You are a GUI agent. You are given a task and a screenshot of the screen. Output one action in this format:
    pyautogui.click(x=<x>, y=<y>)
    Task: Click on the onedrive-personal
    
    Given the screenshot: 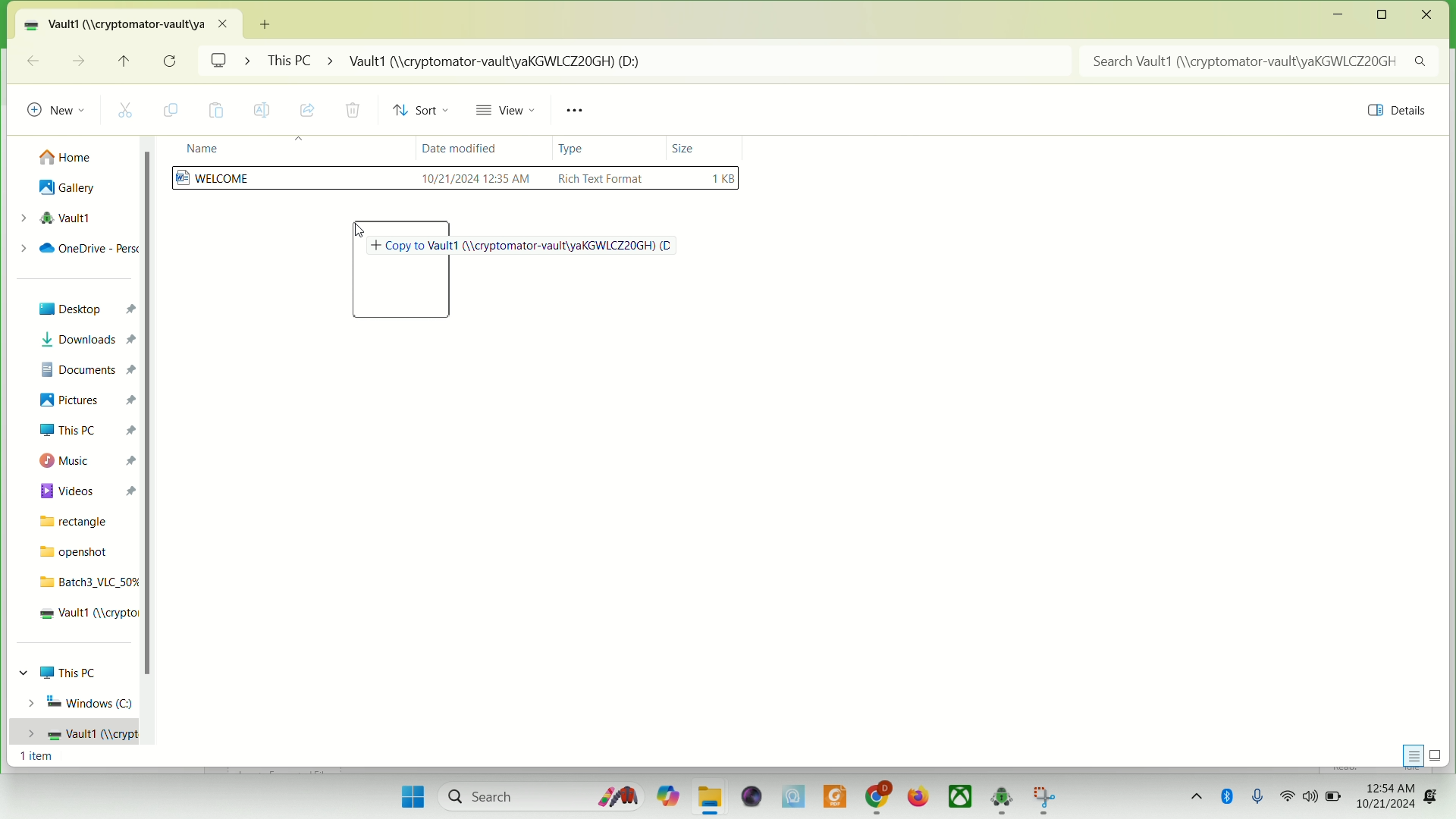 What is the action you would take?
    pyautogui.click(x=76, y=247)
    